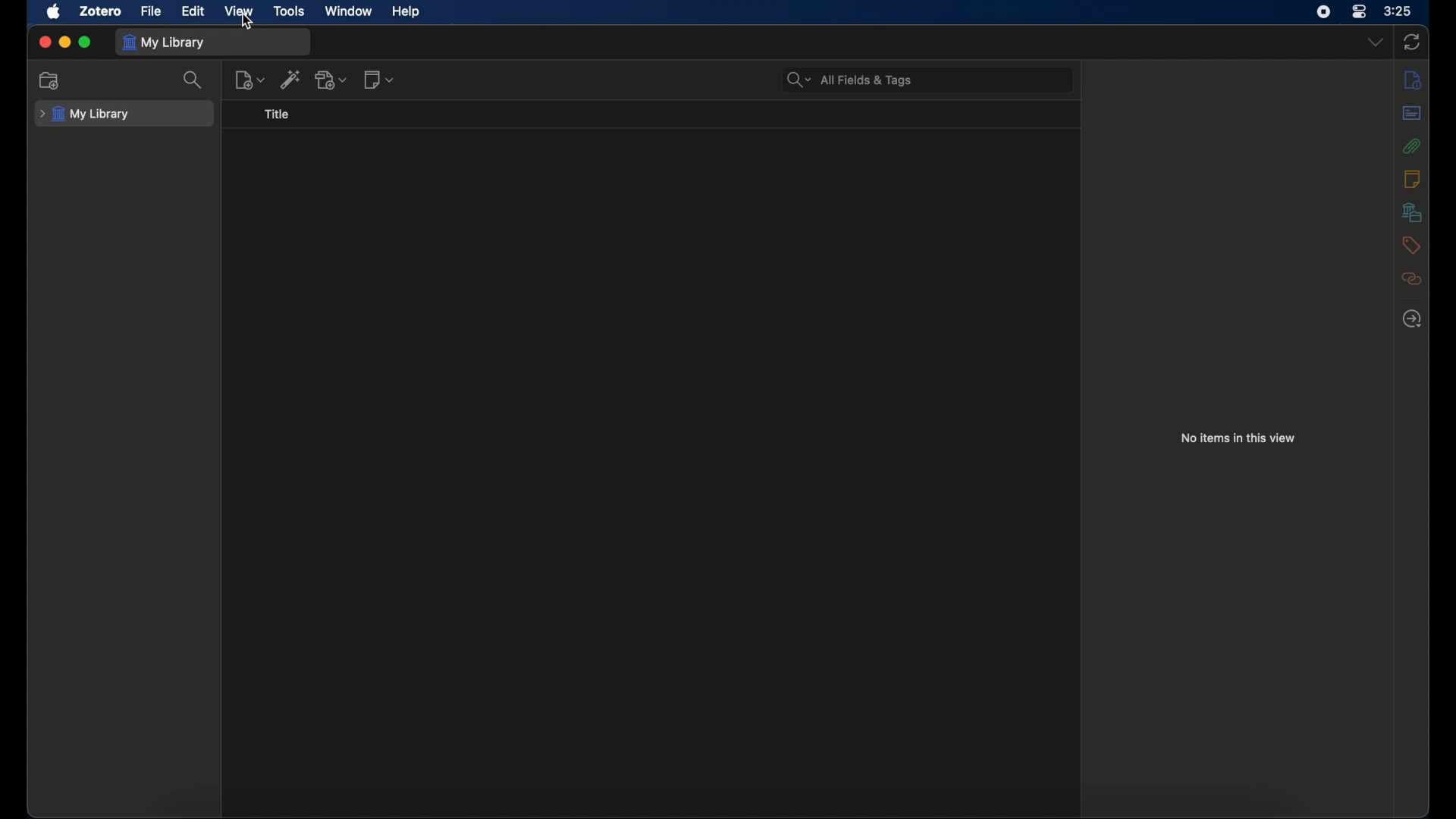 The image size is (1456, 819). I want to click on file, so click(152, 11).